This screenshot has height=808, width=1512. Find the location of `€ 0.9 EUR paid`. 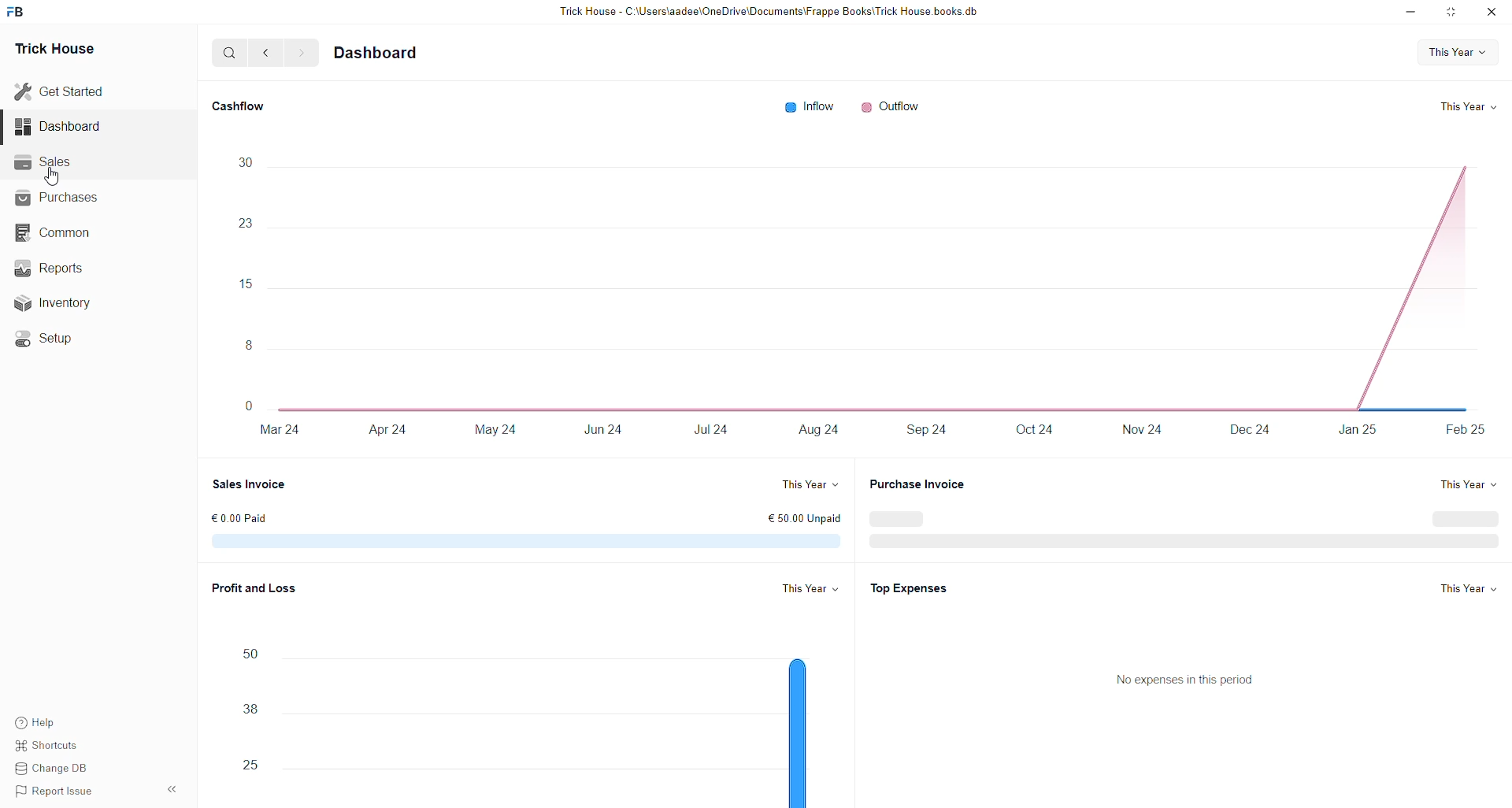

€ 0.9 EUR paid is located at coordinates (242, 520).